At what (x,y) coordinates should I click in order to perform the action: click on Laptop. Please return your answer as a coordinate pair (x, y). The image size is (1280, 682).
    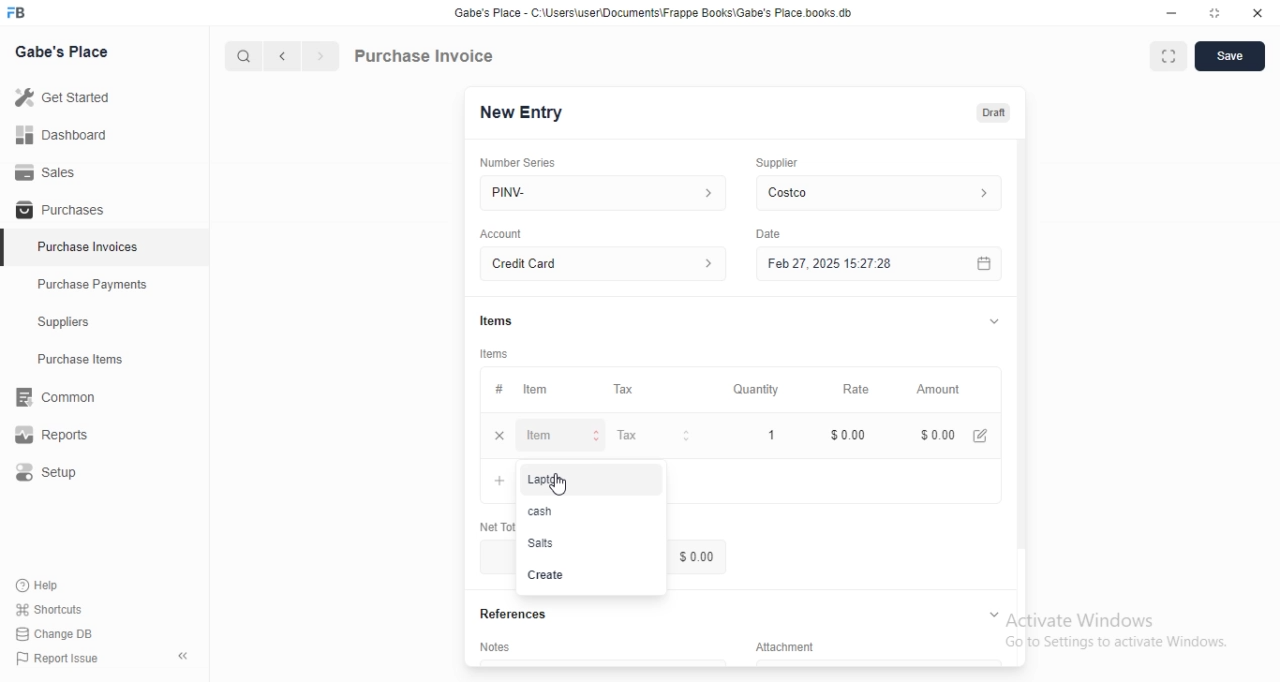
    Looking at the image, I should click on (592, 480).